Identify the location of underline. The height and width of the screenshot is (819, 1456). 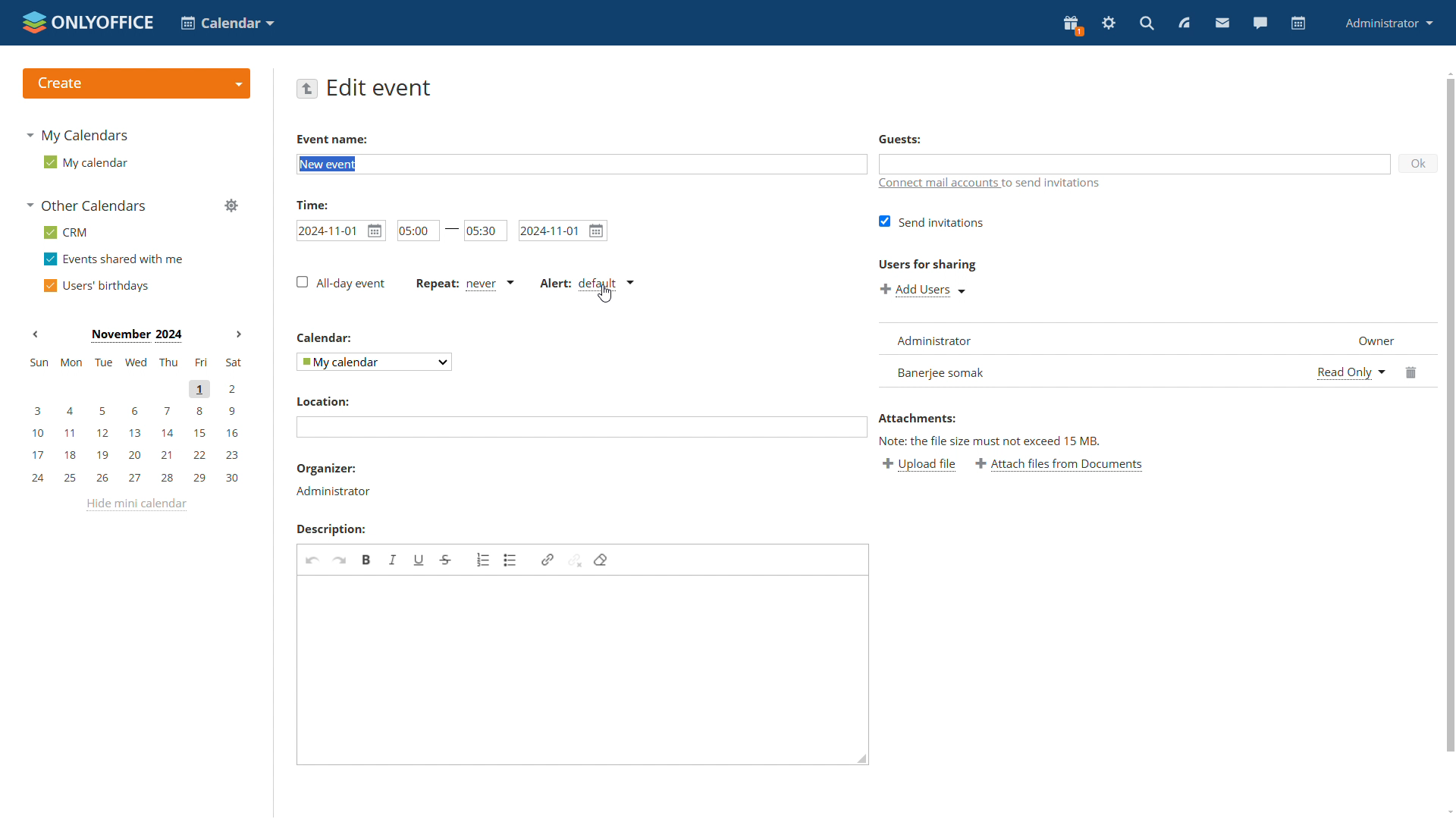
(419, 560).